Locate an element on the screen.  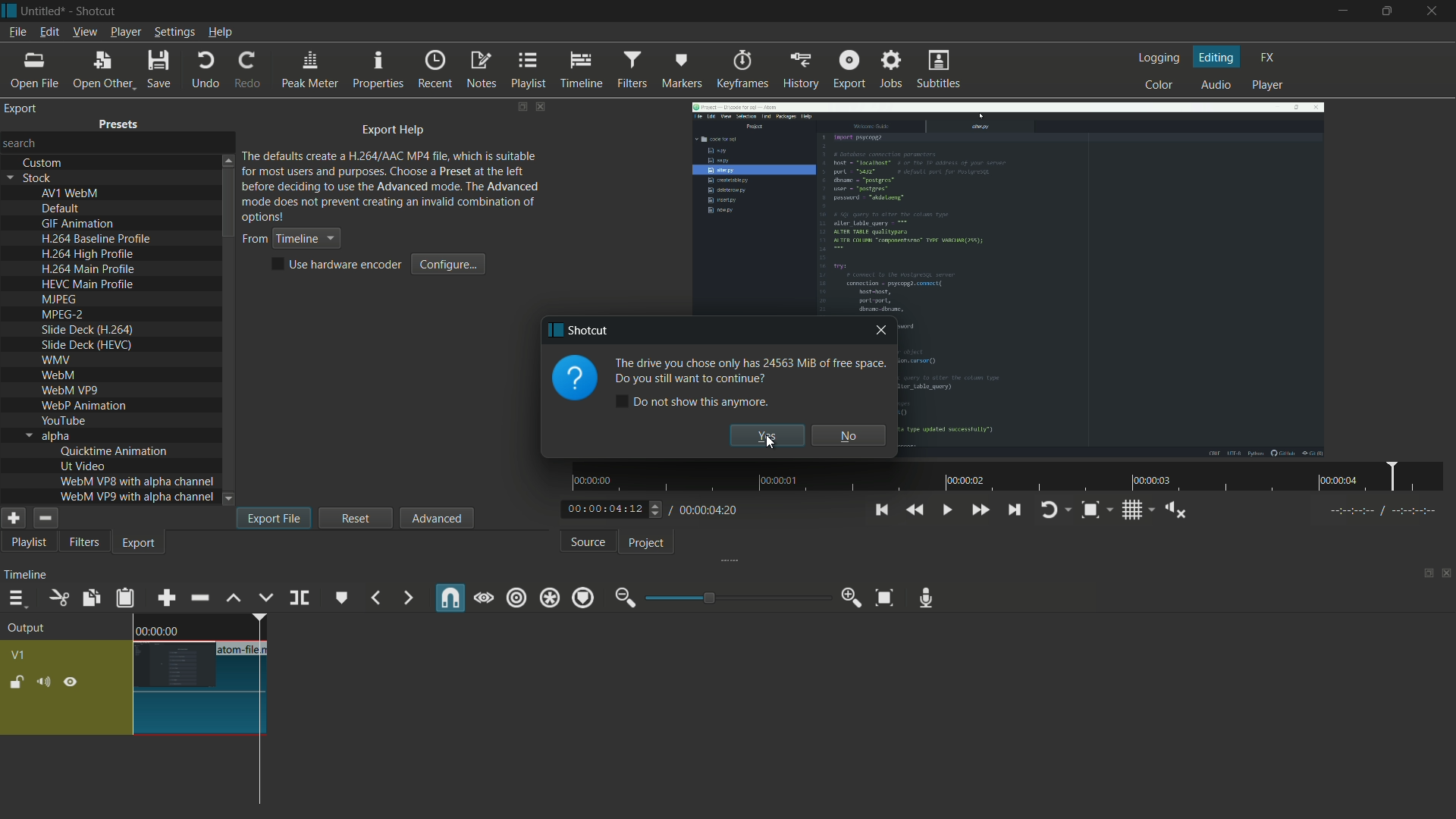
audio is located at coordinates (1216, 85).